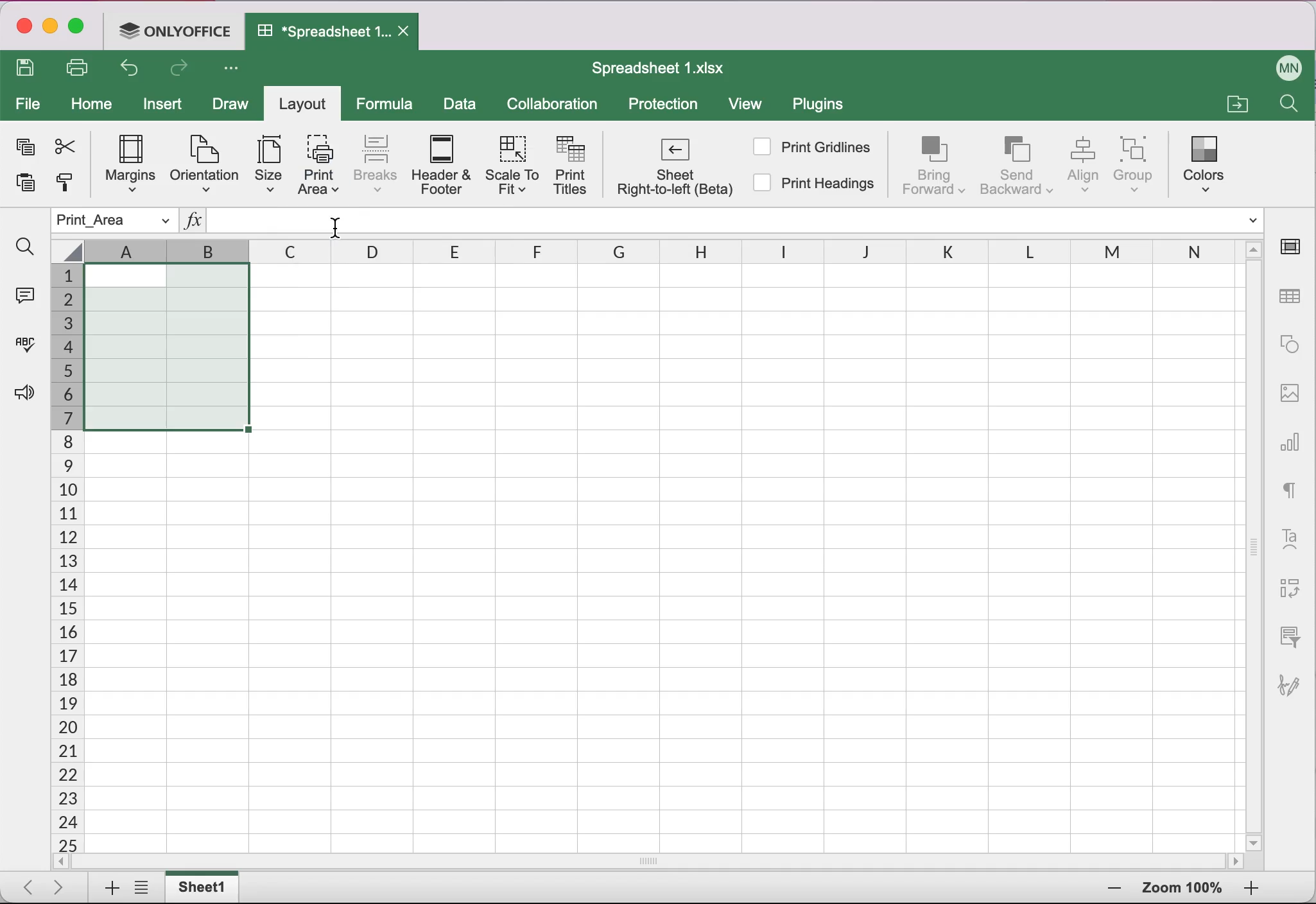  I want to click on comments, so click(23, 293).